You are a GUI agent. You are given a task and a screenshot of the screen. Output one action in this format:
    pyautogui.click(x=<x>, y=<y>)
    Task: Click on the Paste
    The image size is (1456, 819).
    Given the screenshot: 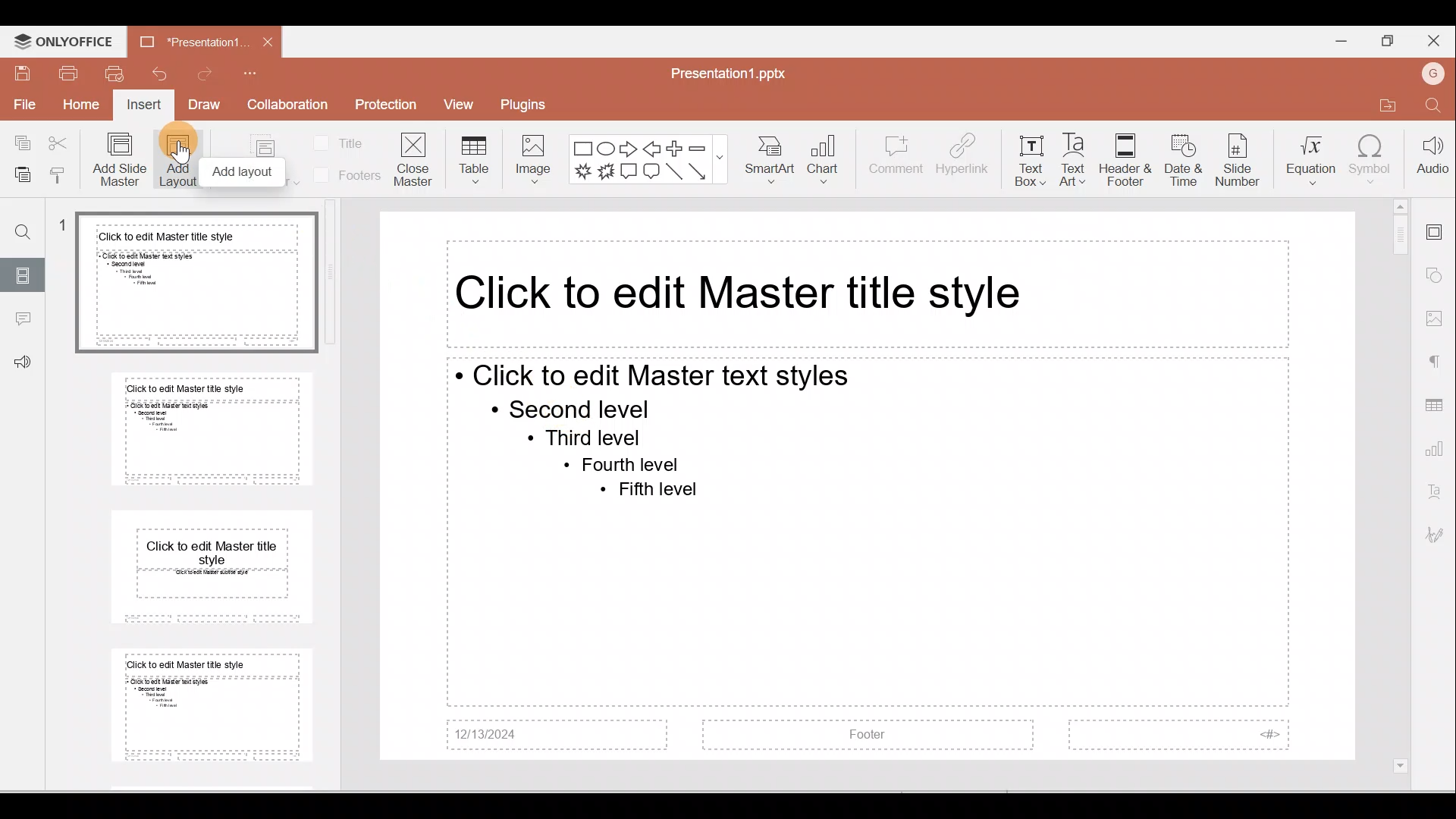 What is the action you would take?
    pyautogui.click(x=18, y=172)
    